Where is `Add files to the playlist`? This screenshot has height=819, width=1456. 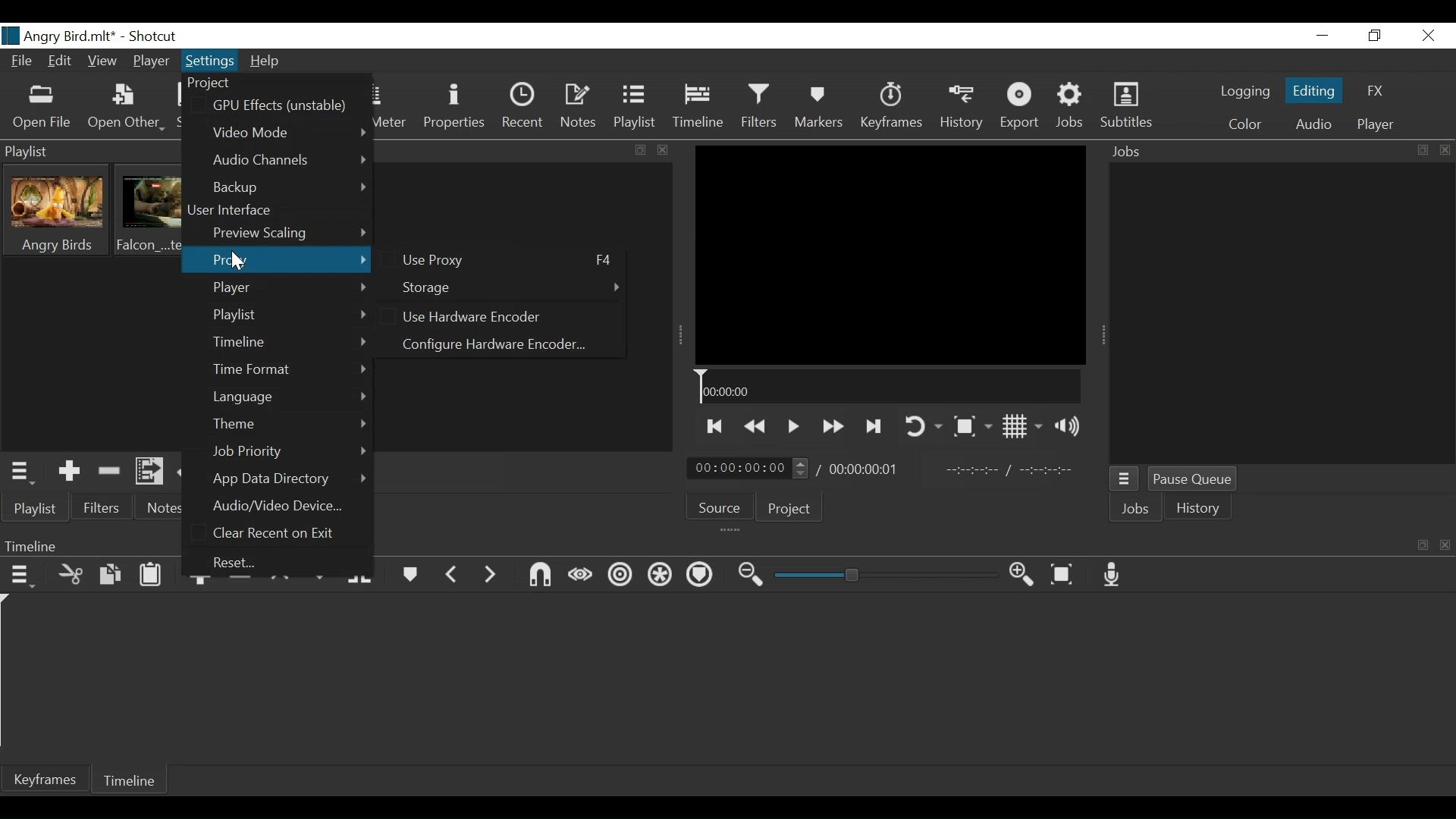 Add files to the playlist is located at coordinates (149, 471).